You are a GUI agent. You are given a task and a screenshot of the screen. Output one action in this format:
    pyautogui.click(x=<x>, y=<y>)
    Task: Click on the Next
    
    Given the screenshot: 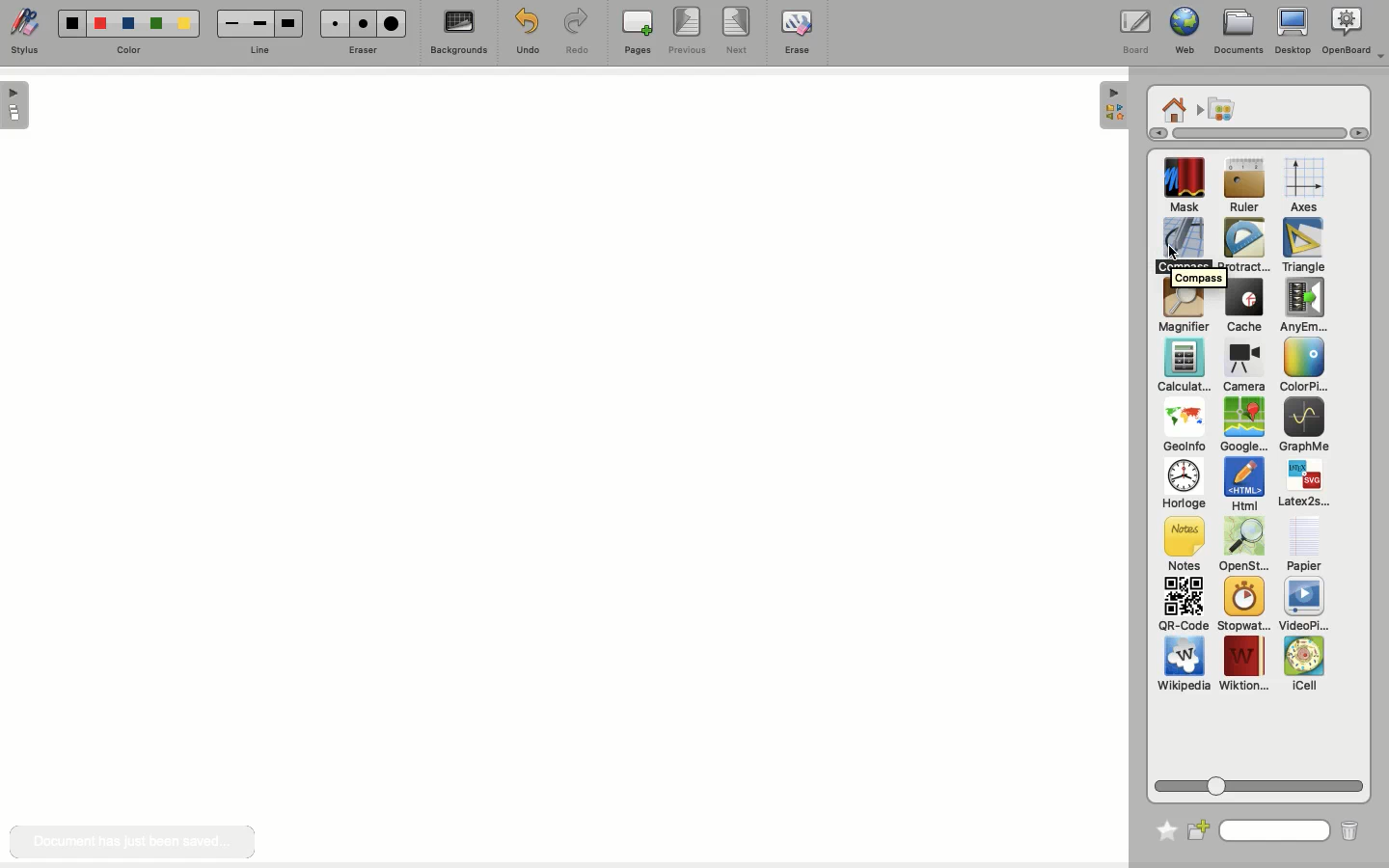 What is the action you would take?
    pyautogui.click(x=739, y=32)
    